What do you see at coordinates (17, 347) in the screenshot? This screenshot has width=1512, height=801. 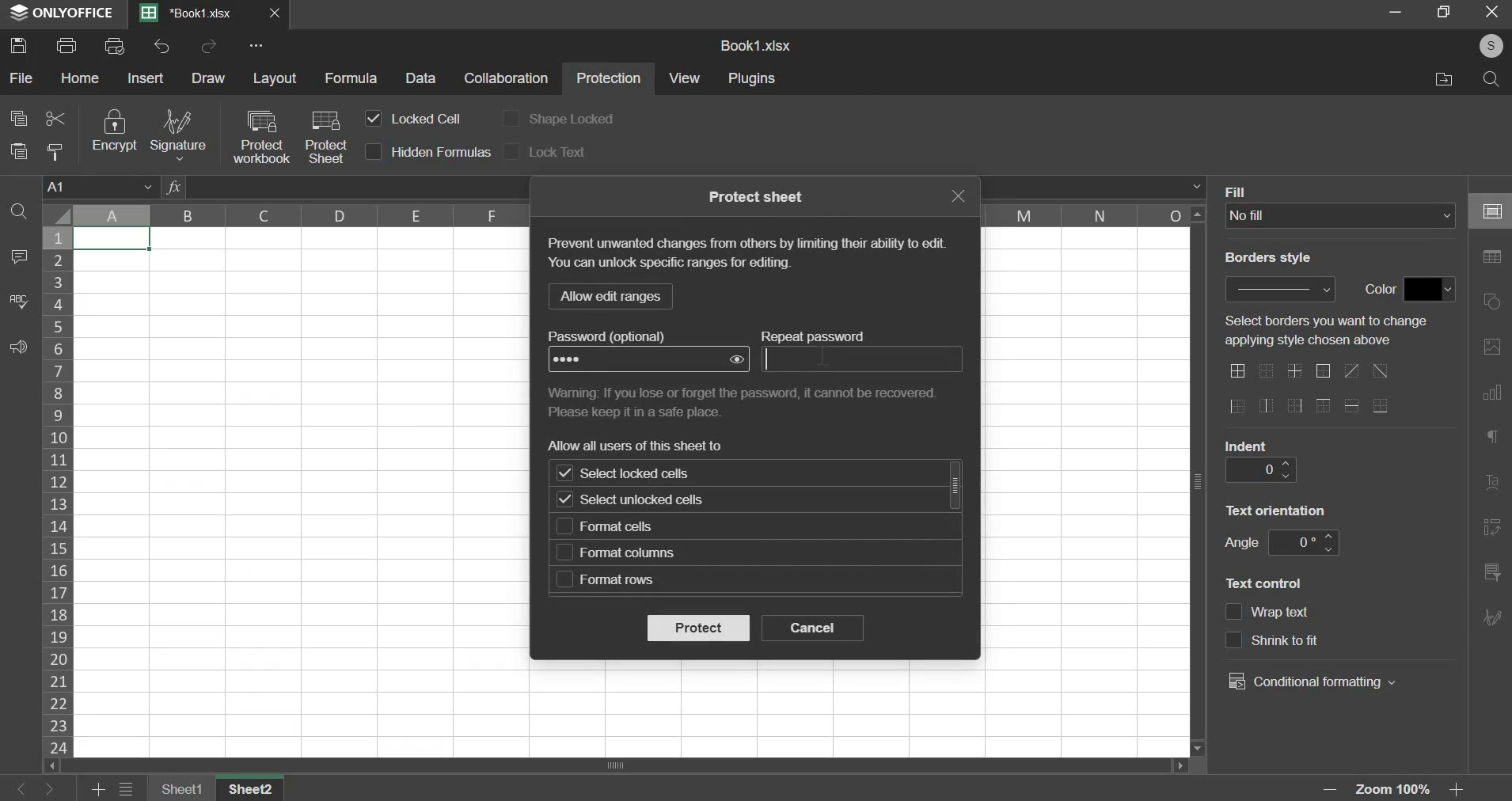 I see `feedback` at bounding box center [17, 347].